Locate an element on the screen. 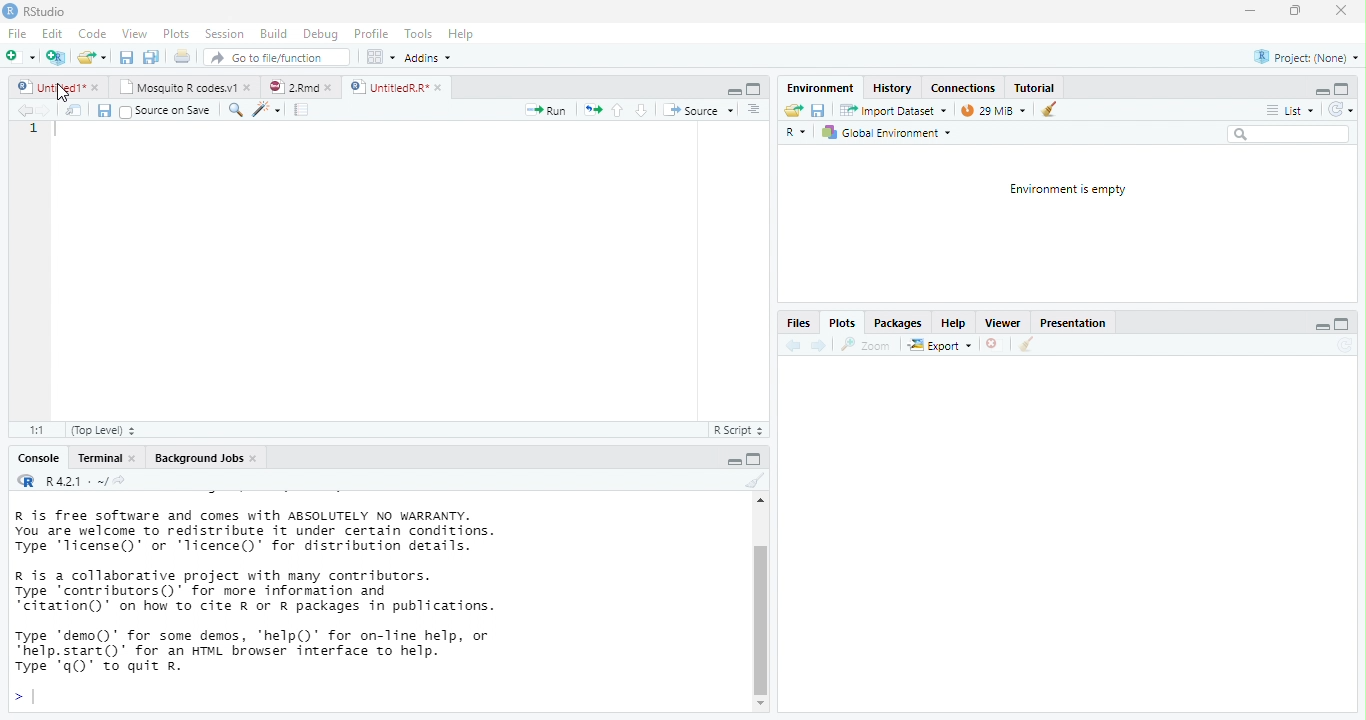  save current document is located at coordinates (819, 111).